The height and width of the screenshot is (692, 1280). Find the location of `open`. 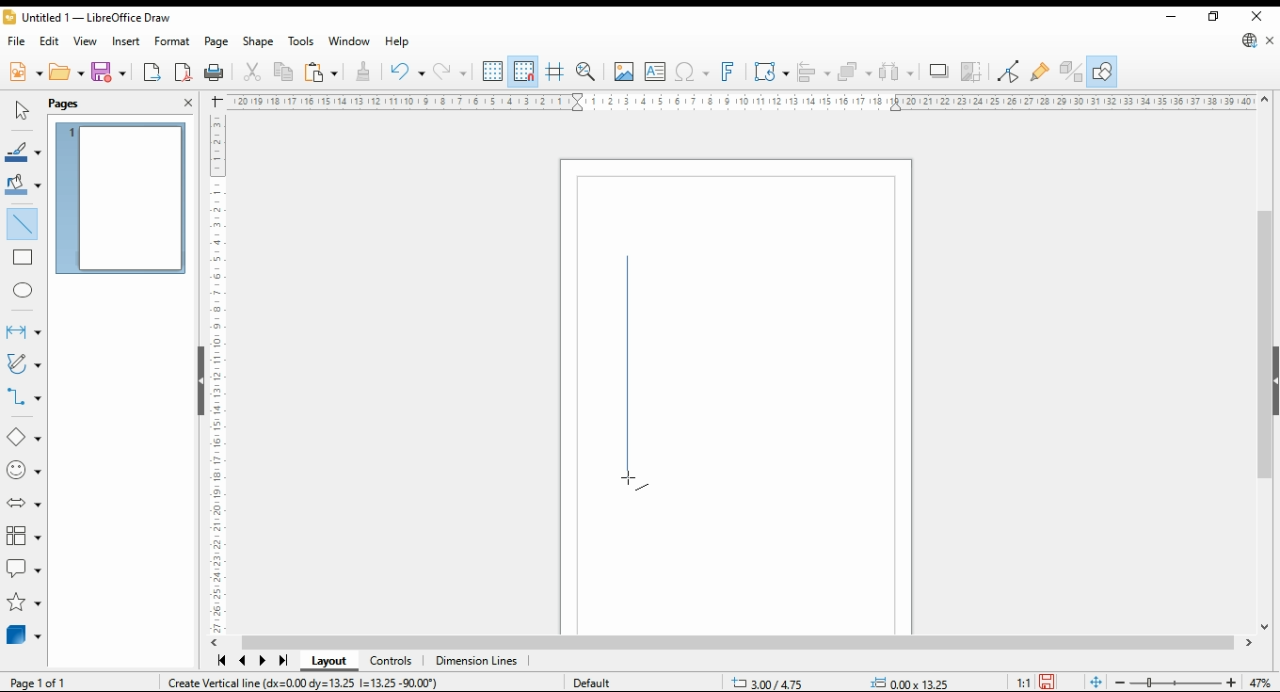

open is located at coordinates (66, 73).